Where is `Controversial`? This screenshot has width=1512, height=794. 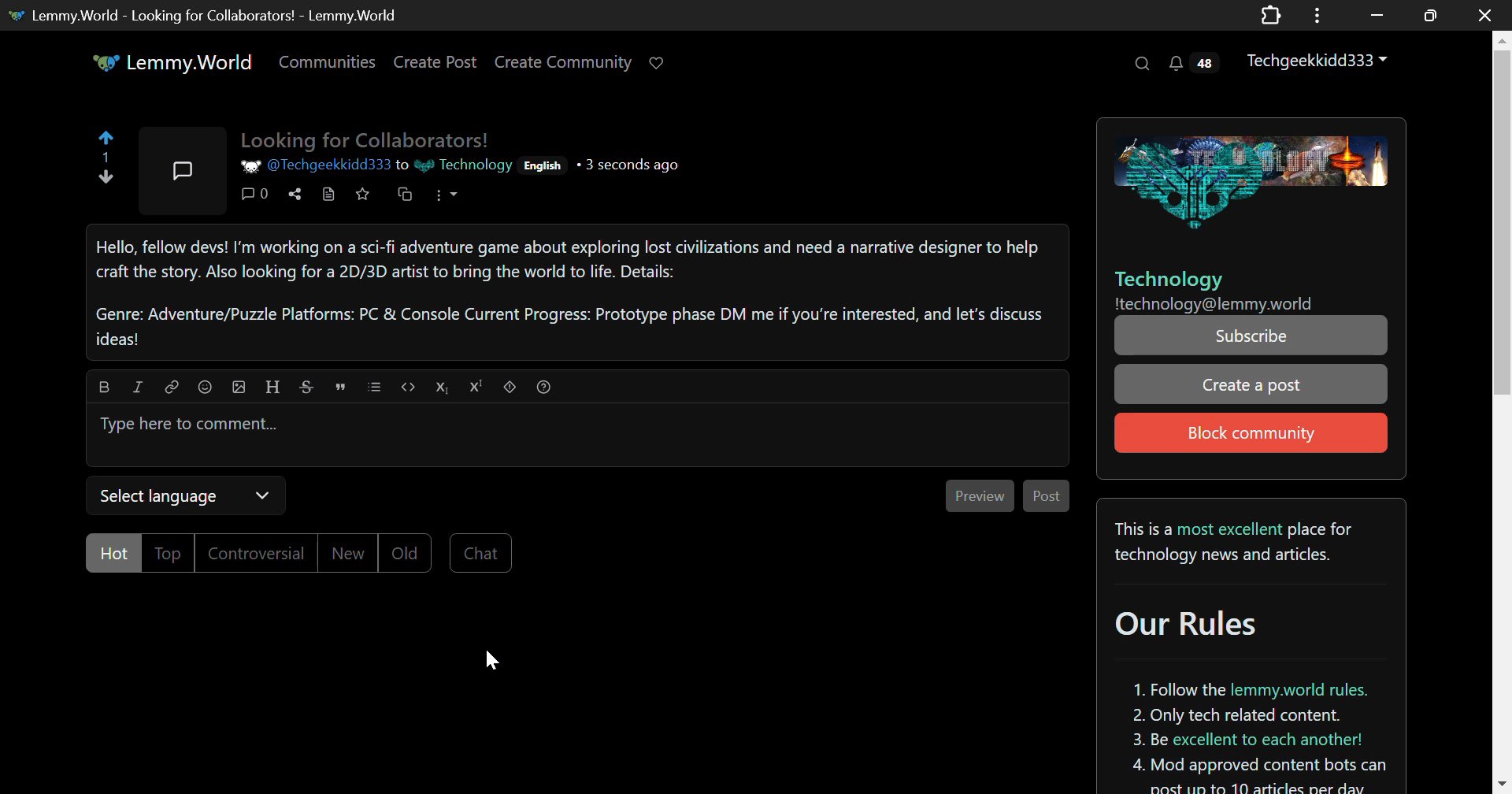 Controversial is located at coordinates (254, 553).